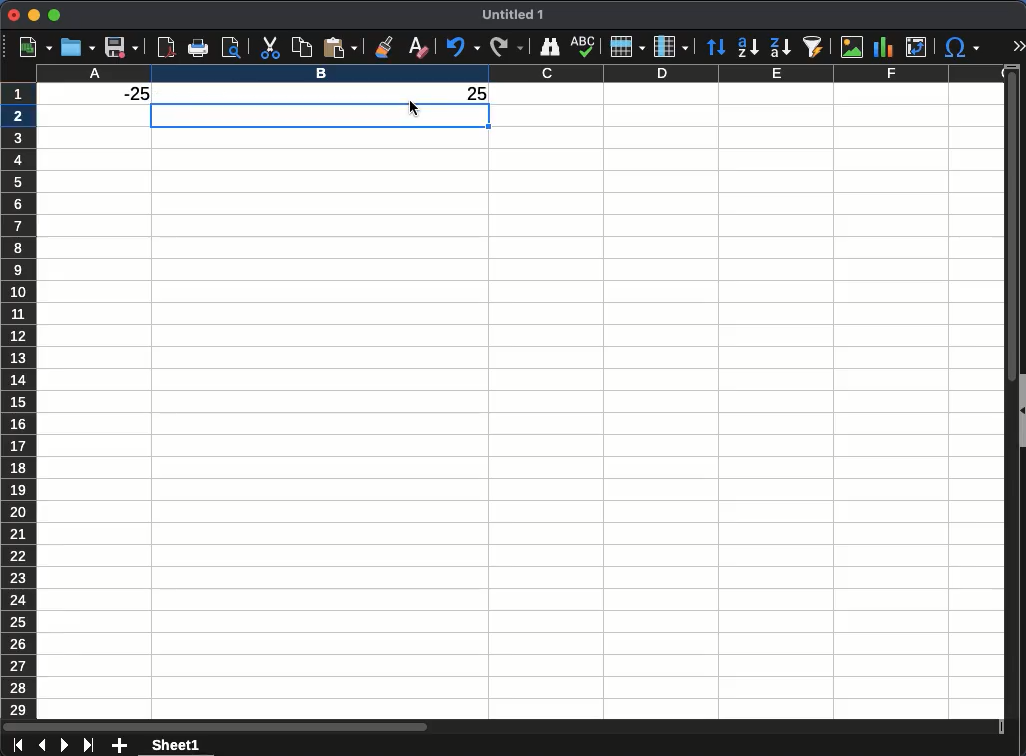 This screenshot has width=1026, height=756. I want to click on cursor, so click(413, 107).